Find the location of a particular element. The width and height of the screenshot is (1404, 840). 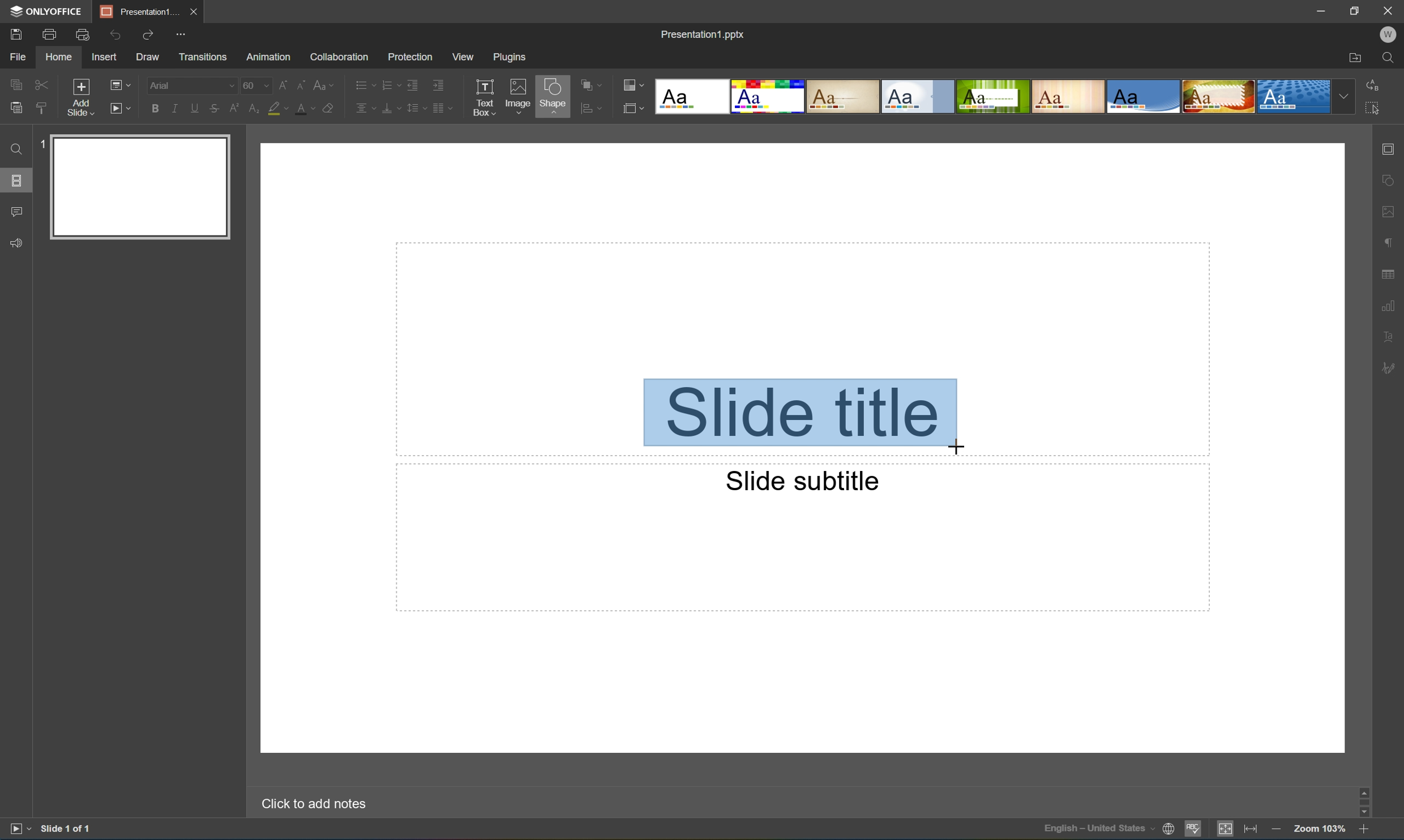

Image is located at coordinates (515, 94).